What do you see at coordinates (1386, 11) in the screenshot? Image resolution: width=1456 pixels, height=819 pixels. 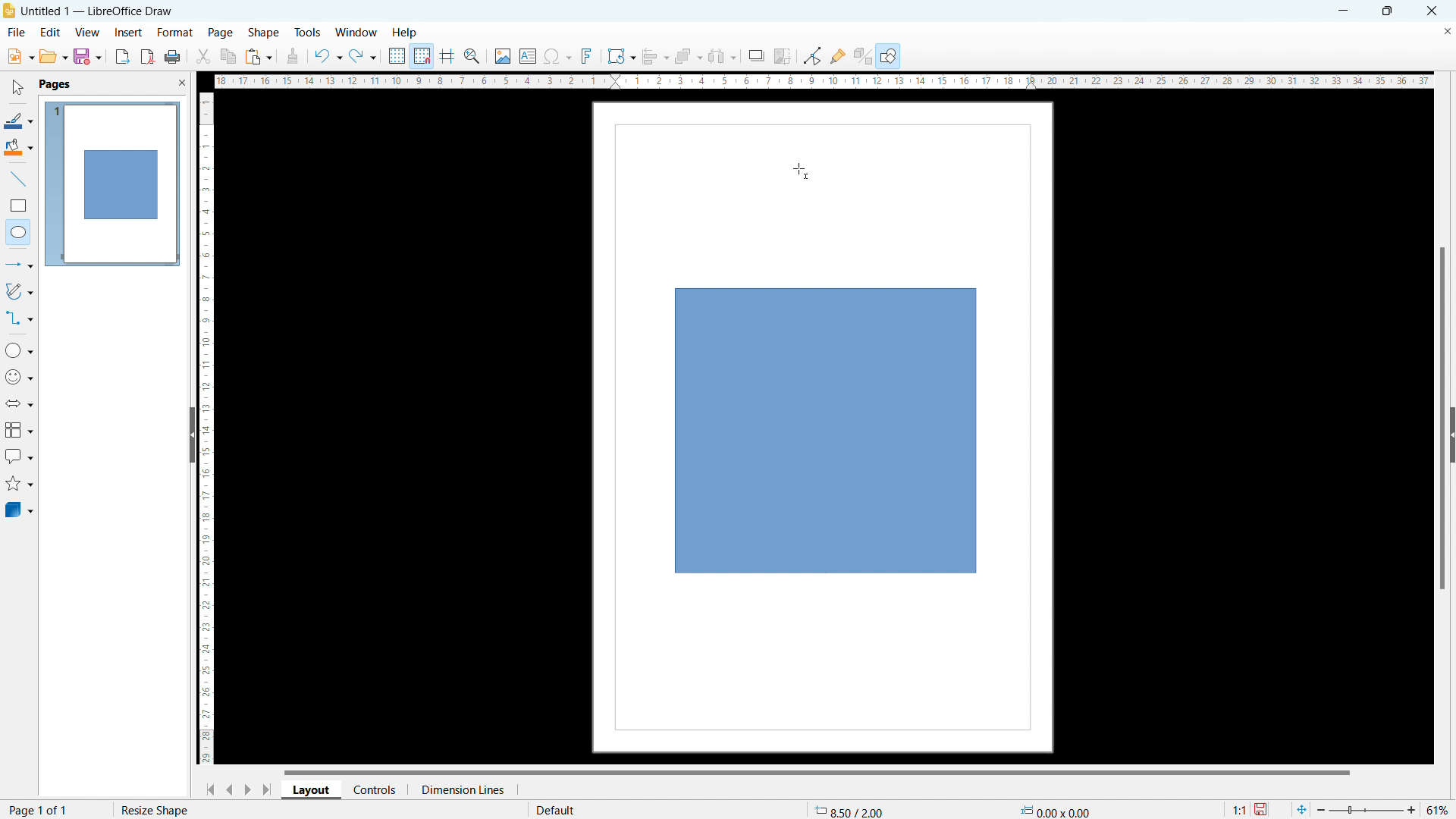 I see `maximize` at bounding box center [1386, 11].